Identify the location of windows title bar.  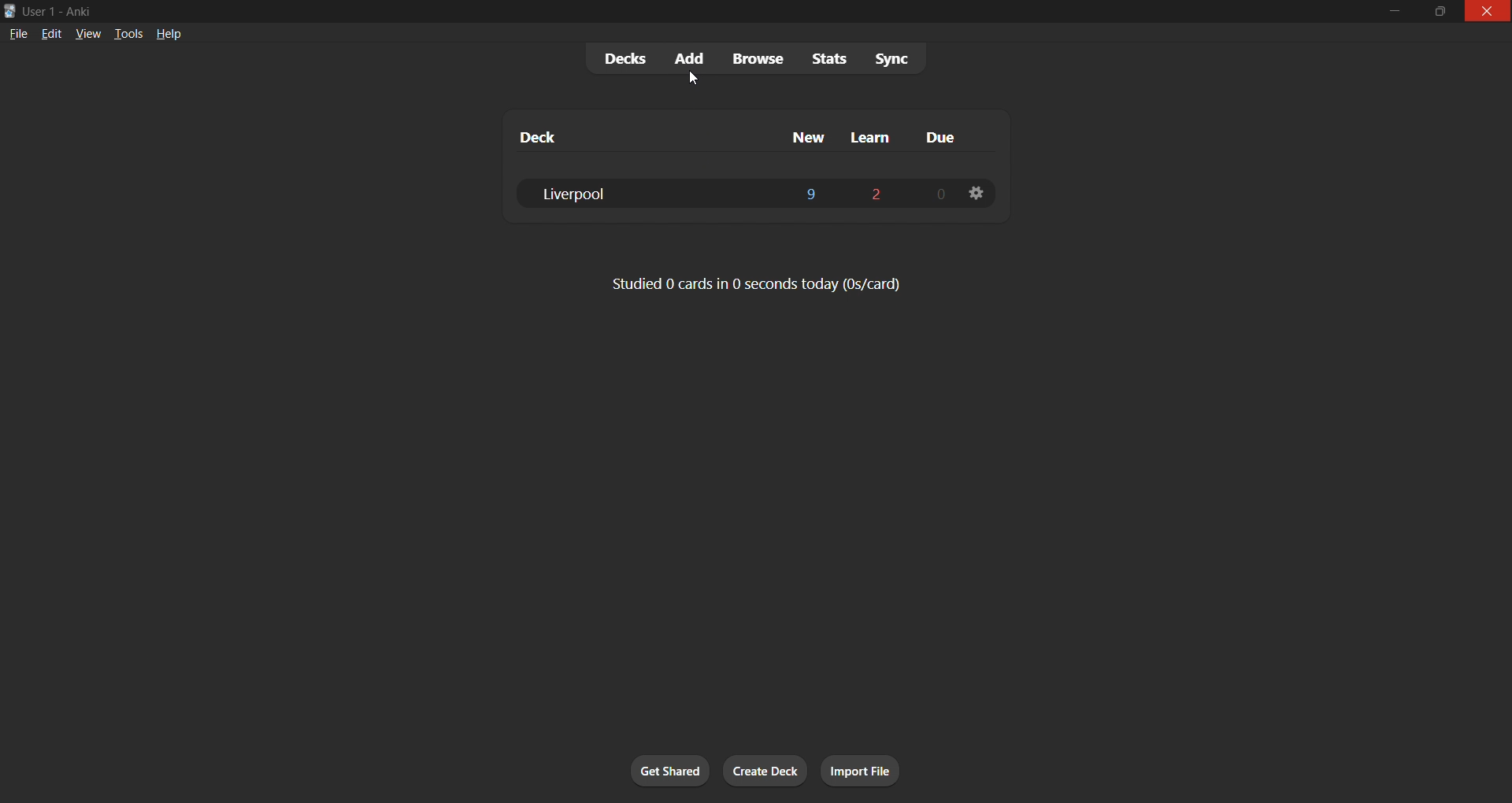
(660, 11).